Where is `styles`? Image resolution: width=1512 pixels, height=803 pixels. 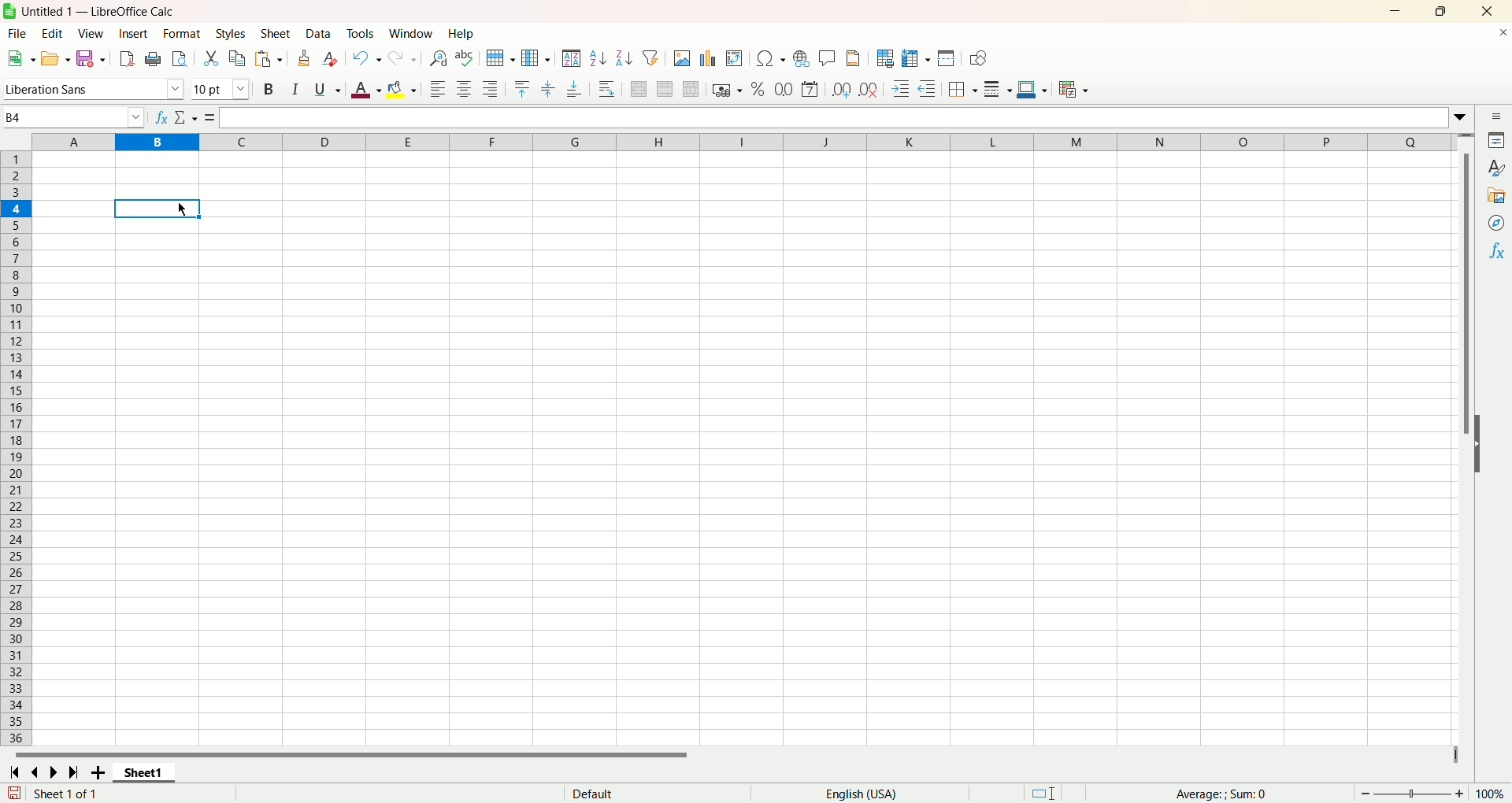 styles is located at coordinates (233, 33).